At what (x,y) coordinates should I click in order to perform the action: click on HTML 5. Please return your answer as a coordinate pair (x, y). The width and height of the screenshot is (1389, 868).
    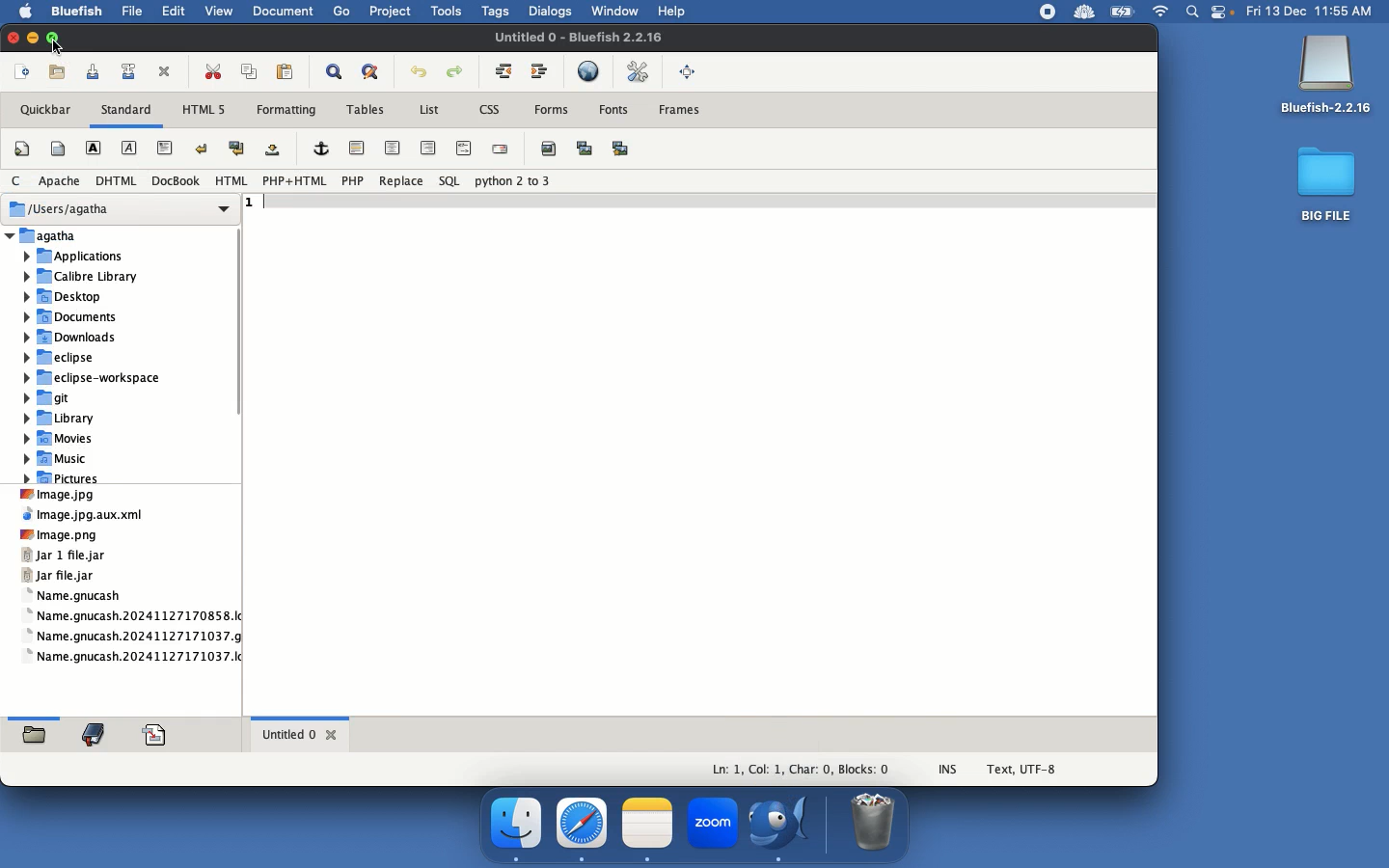
    Looking at the image, I should click on (204, 112).